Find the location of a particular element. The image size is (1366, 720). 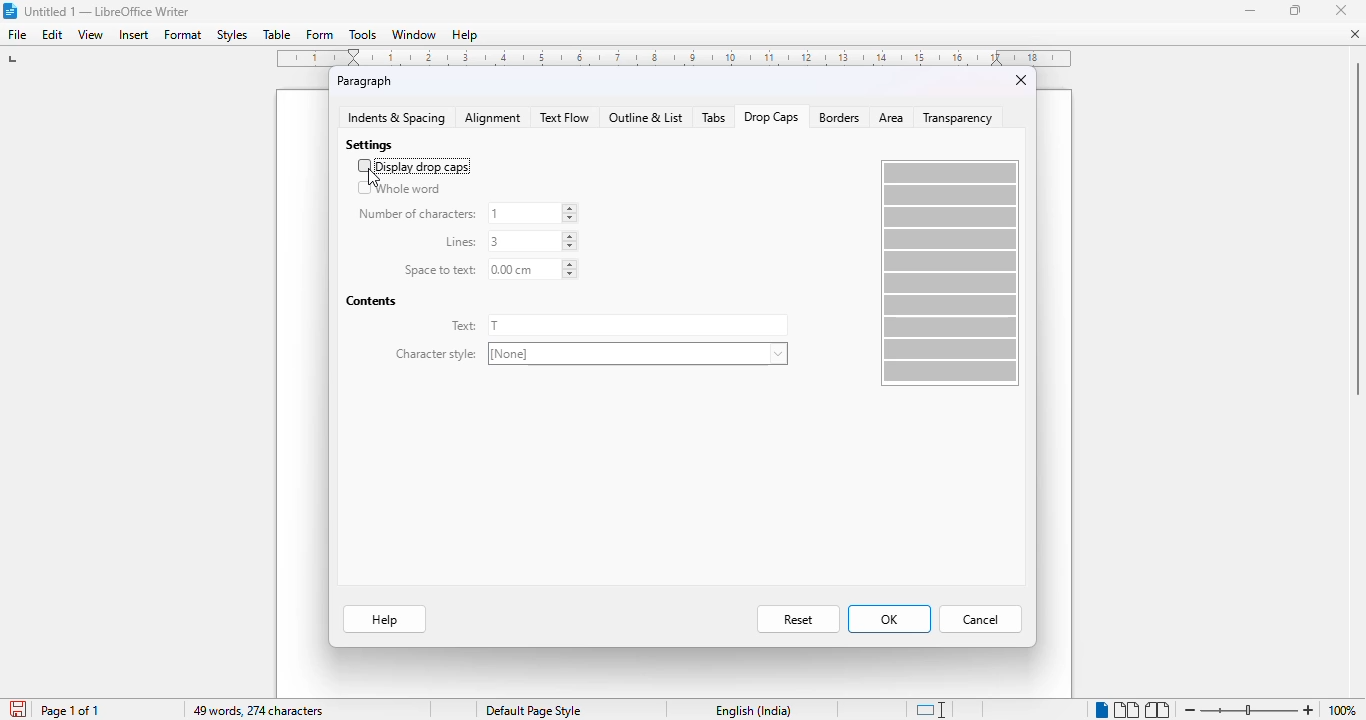

multi-page view is located at coordinates (1126, 710).